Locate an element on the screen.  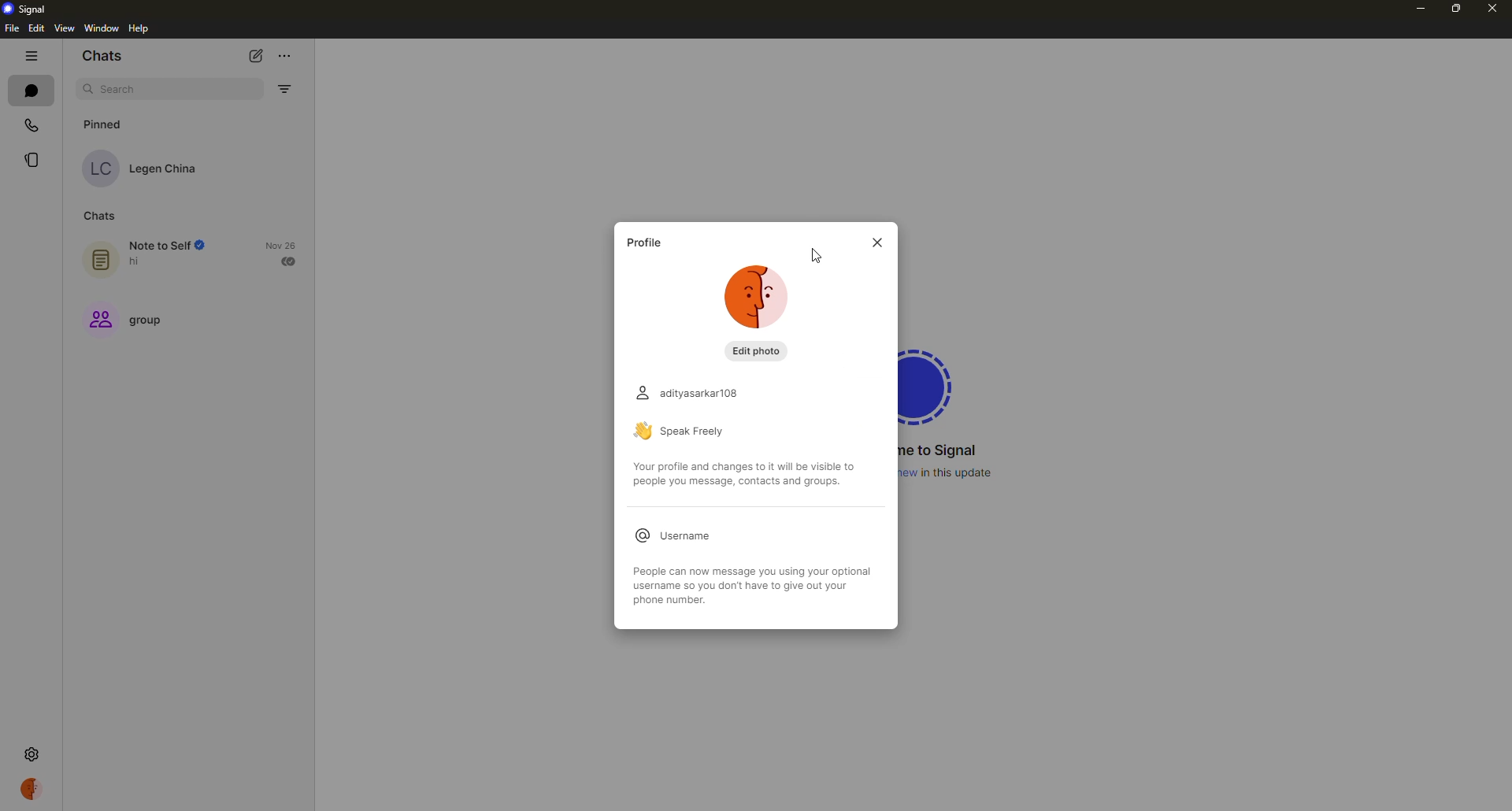
view is located at coordinates (63, 29).